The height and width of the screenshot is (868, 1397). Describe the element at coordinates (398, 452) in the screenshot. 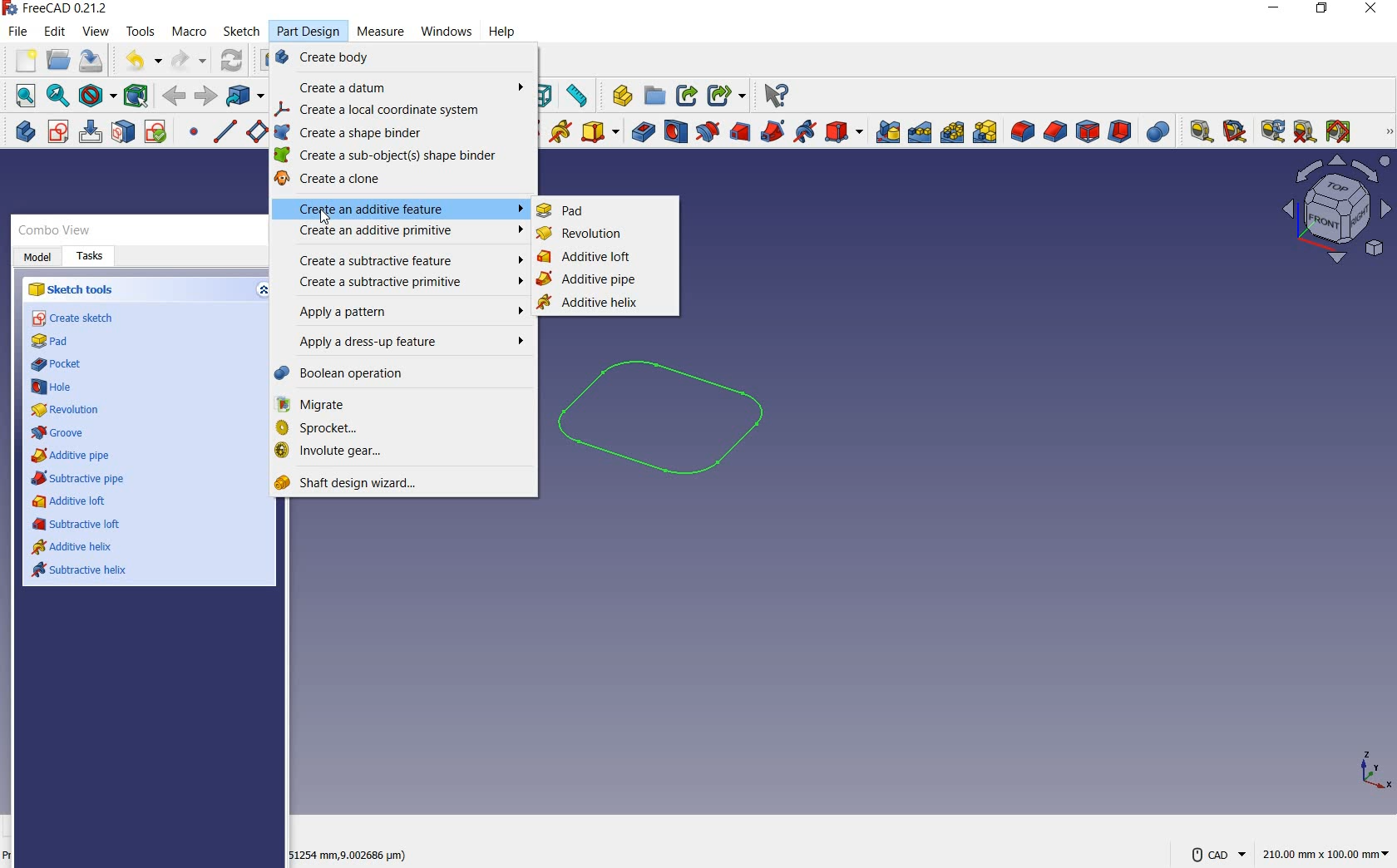

I see `involute gear` at that location.